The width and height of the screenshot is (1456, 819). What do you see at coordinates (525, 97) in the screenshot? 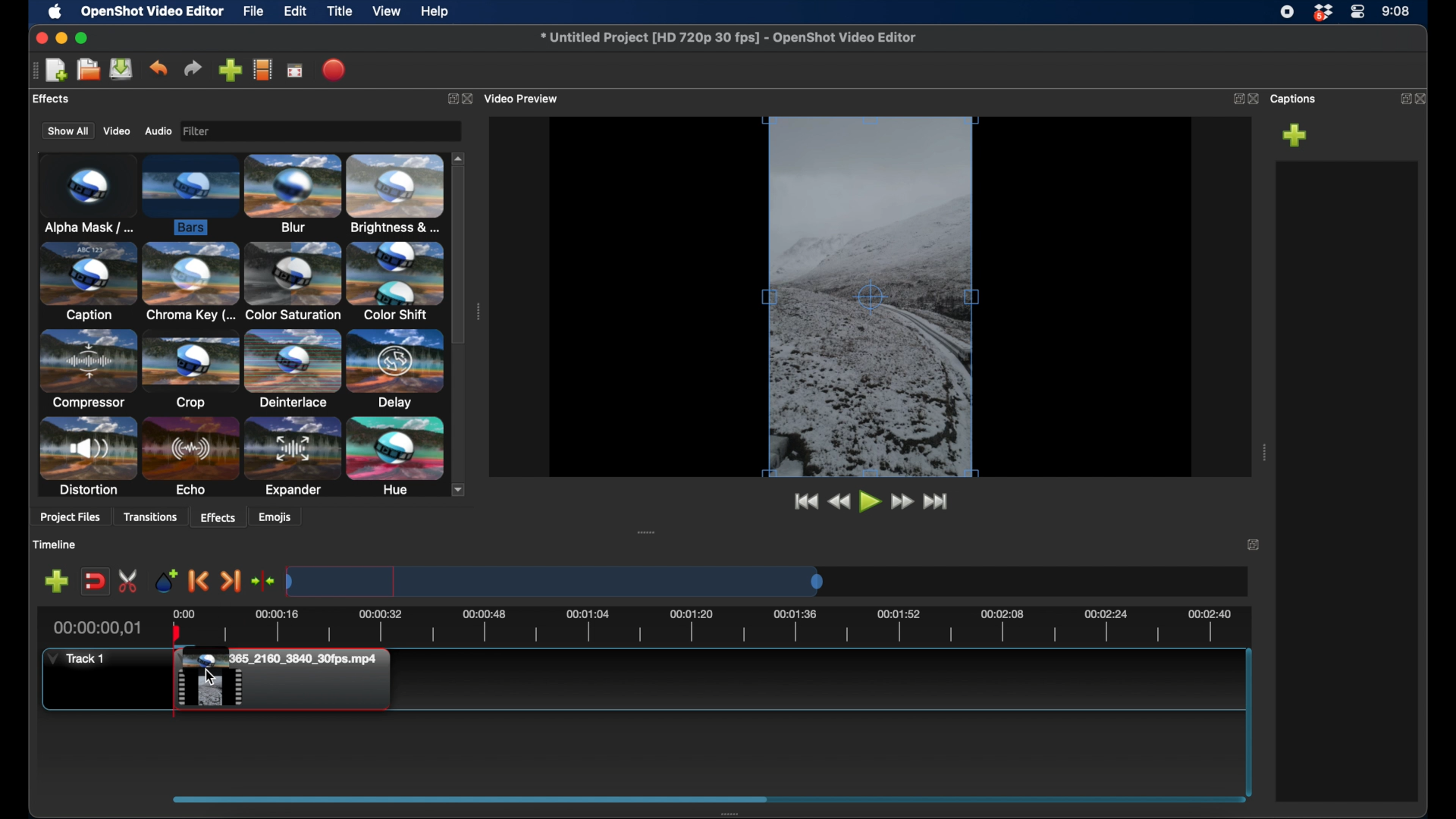
I see `video preview` at bounding box center [525, 97].